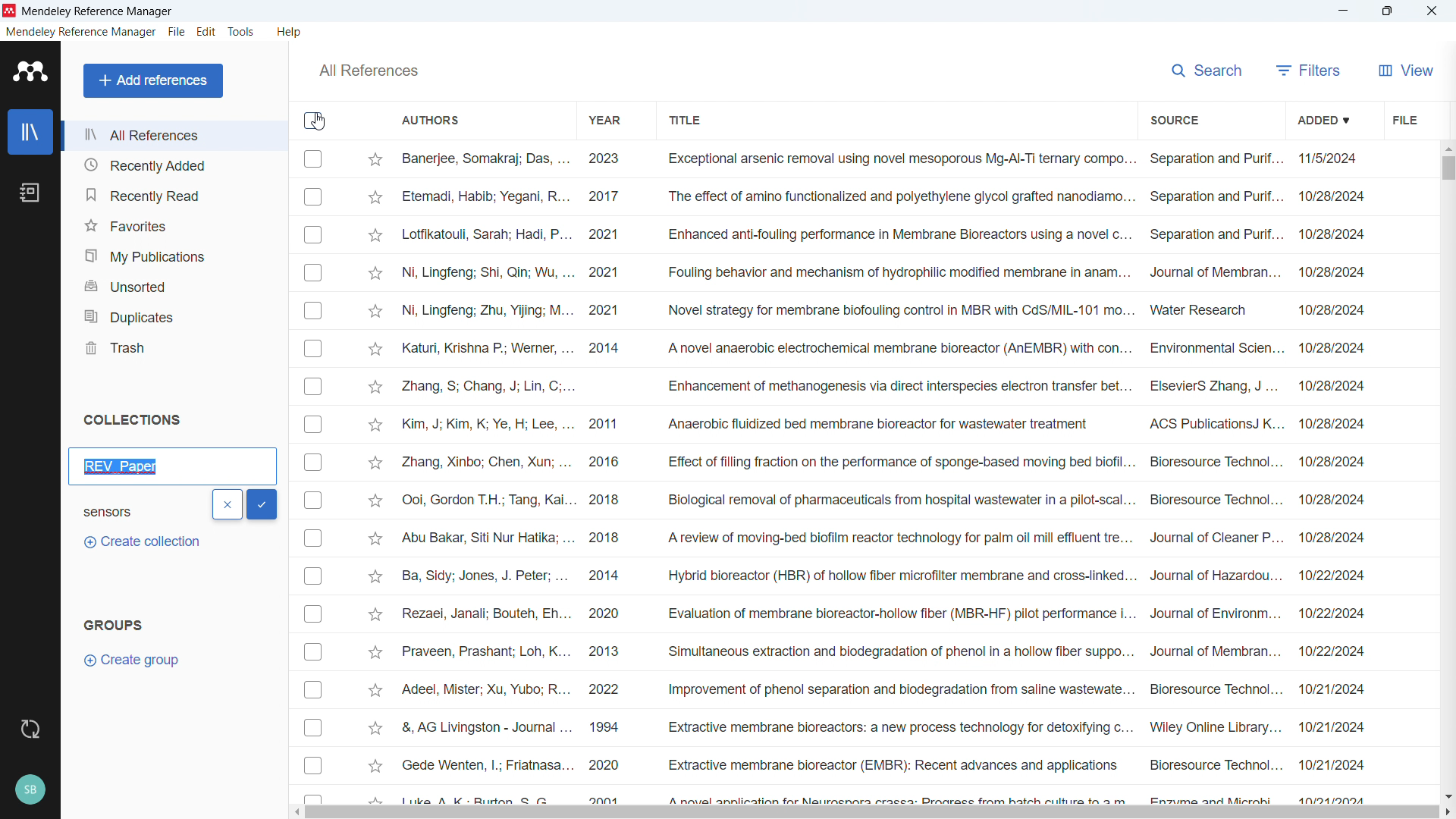 The width and height of the screenshot is (1456, 819). What do you see at coordinates (291, 31) in the screenshot?
I see `help` at bounding box center [291, 31].